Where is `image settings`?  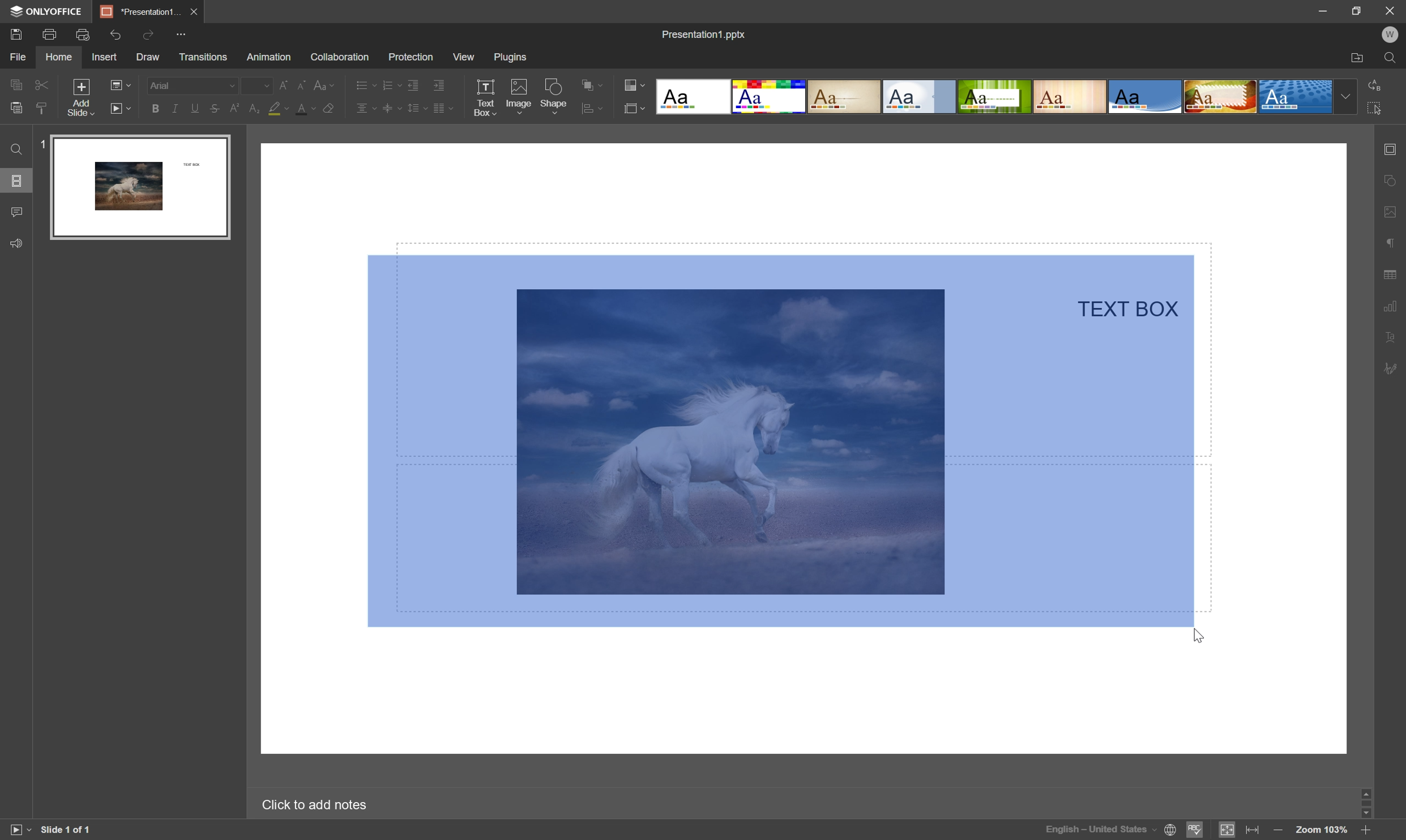 image settings is located at coordinates (1391, 213).